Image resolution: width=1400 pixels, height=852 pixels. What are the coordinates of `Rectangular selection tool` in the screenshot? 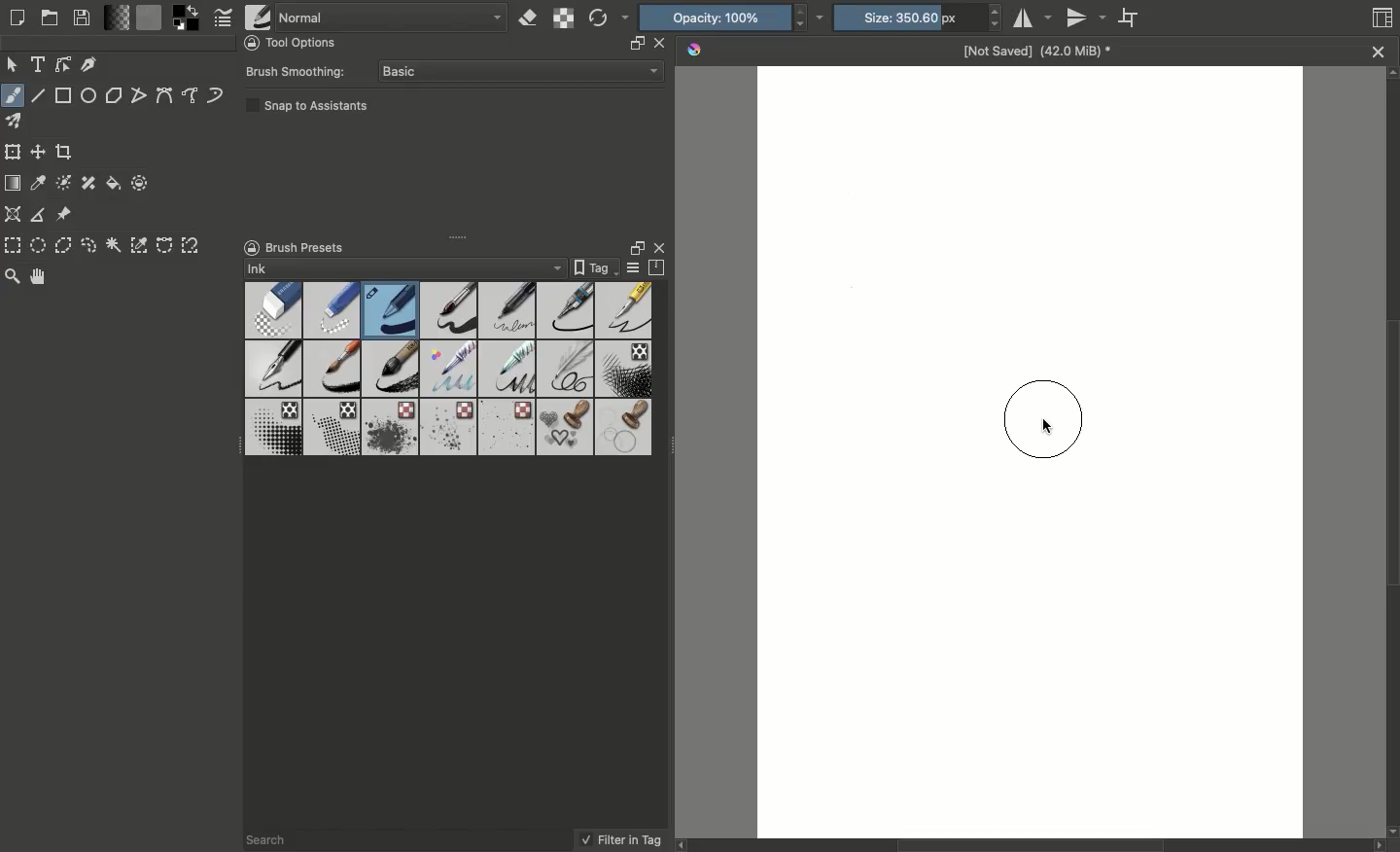 It's located at (15, 245).